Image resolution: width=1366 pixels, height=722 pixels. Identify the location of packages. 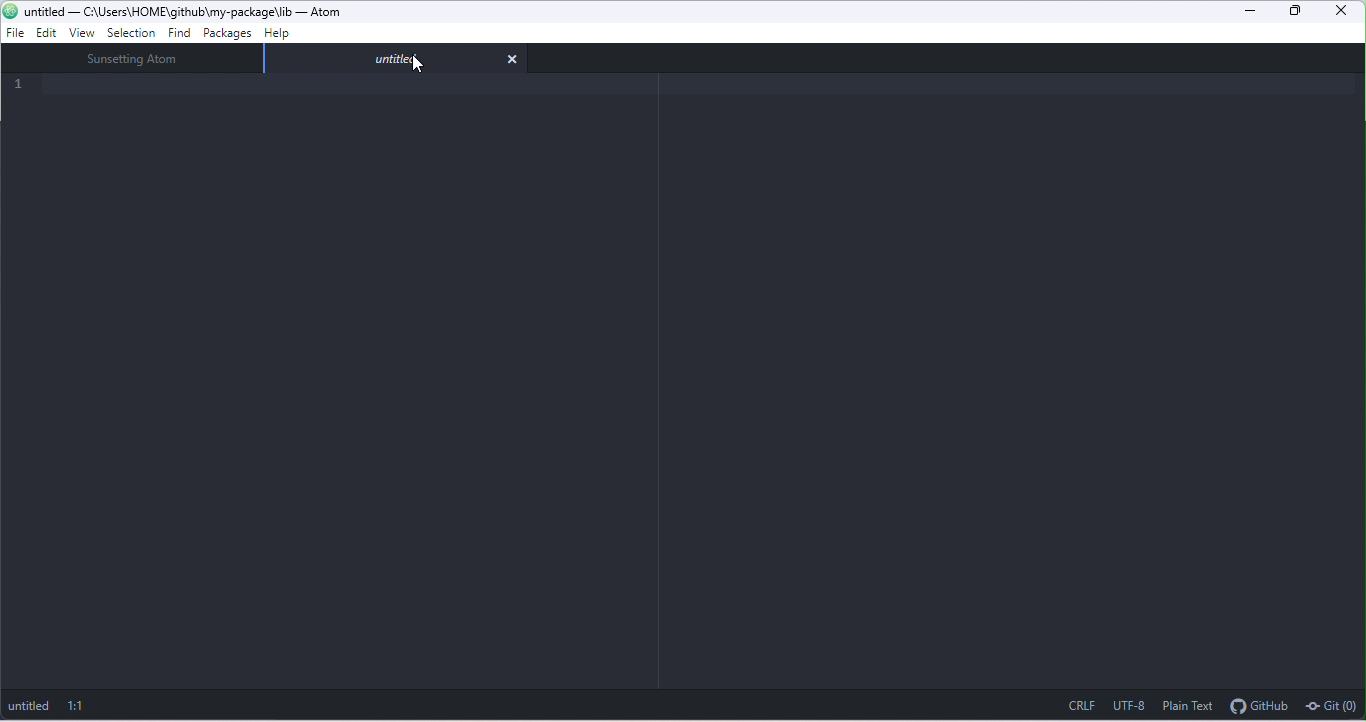
(229, 34).